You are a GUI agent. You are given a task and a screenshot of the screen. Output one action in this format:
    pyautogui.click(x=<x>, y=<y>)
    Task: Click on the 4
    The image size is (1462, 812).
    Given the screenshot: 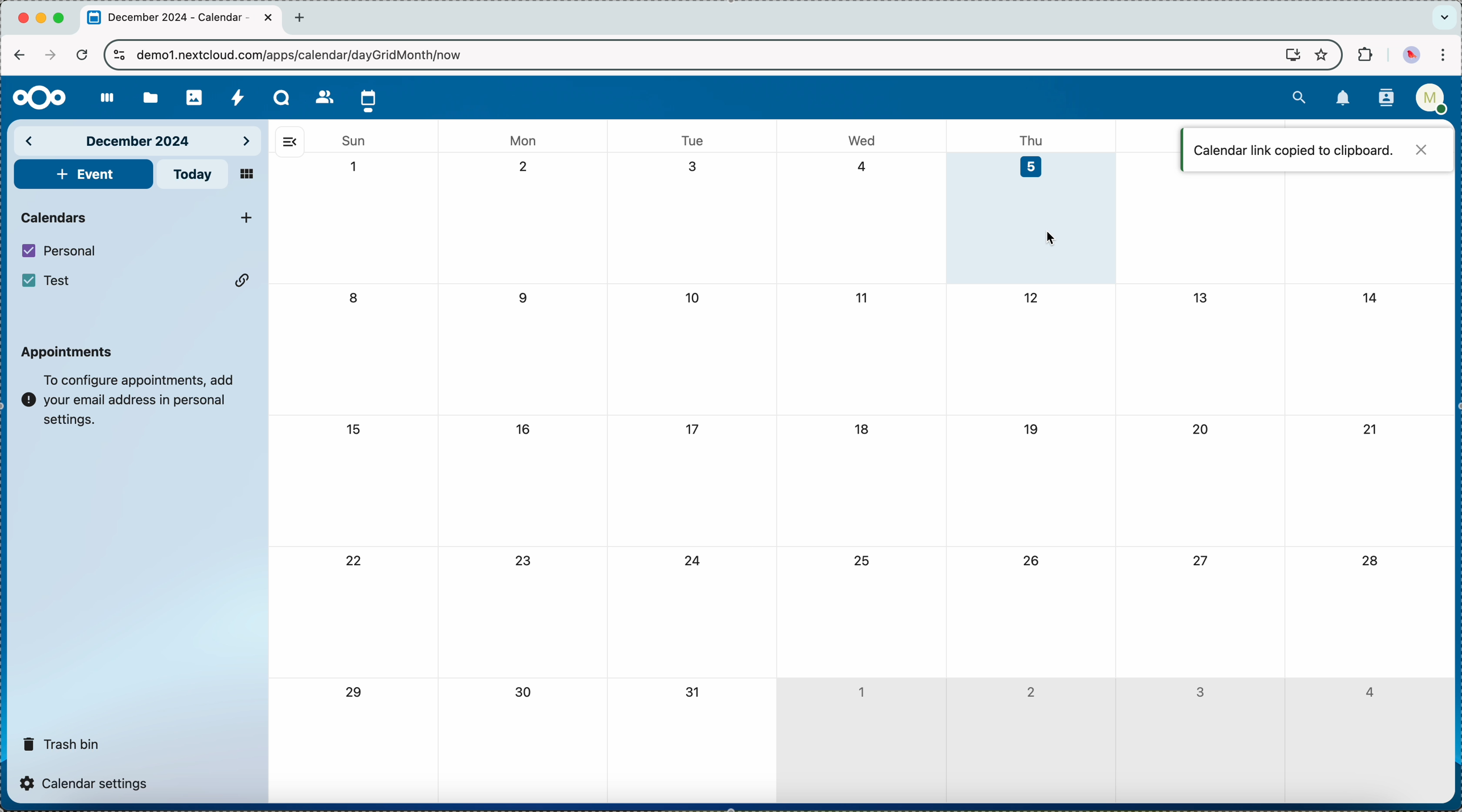 What is the action you would take?
    pyautogui.click(x=863, y=166)
    